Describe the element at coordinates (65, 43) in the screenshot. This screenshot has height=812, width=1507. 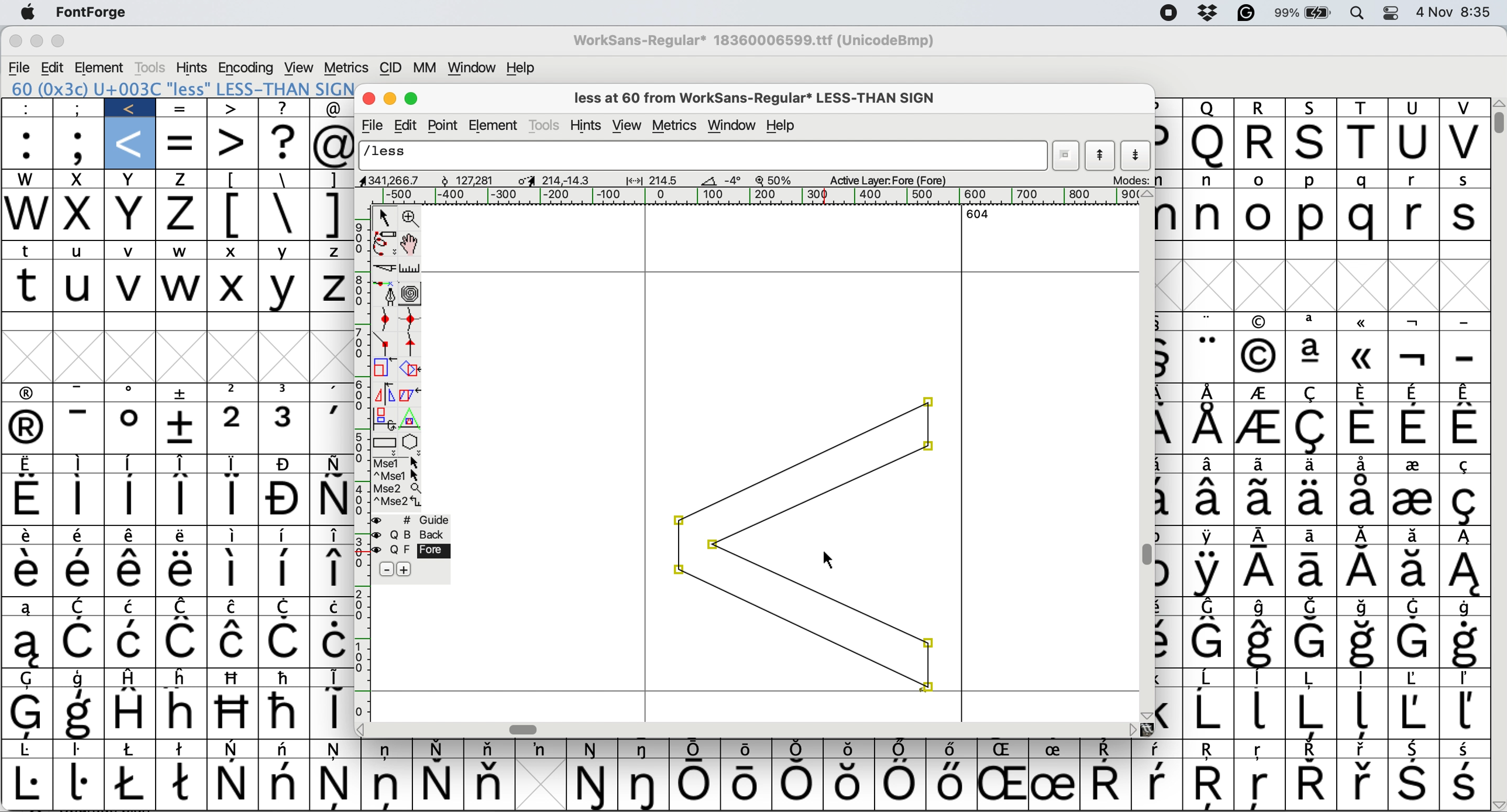
I see `maximise` at that location.